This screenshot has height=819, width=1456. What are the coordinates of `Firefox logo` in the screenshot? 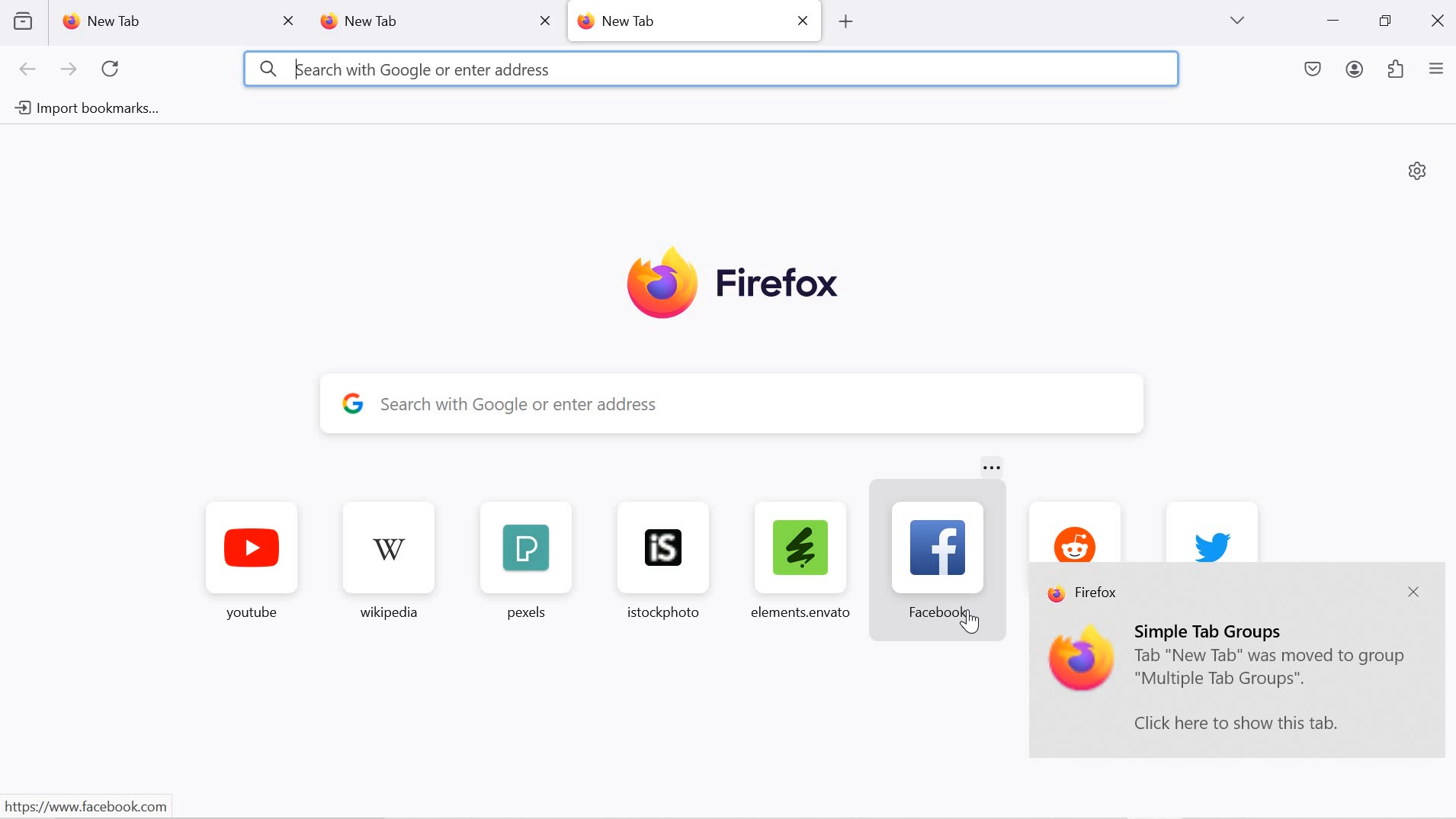 It's located at (733, 285).